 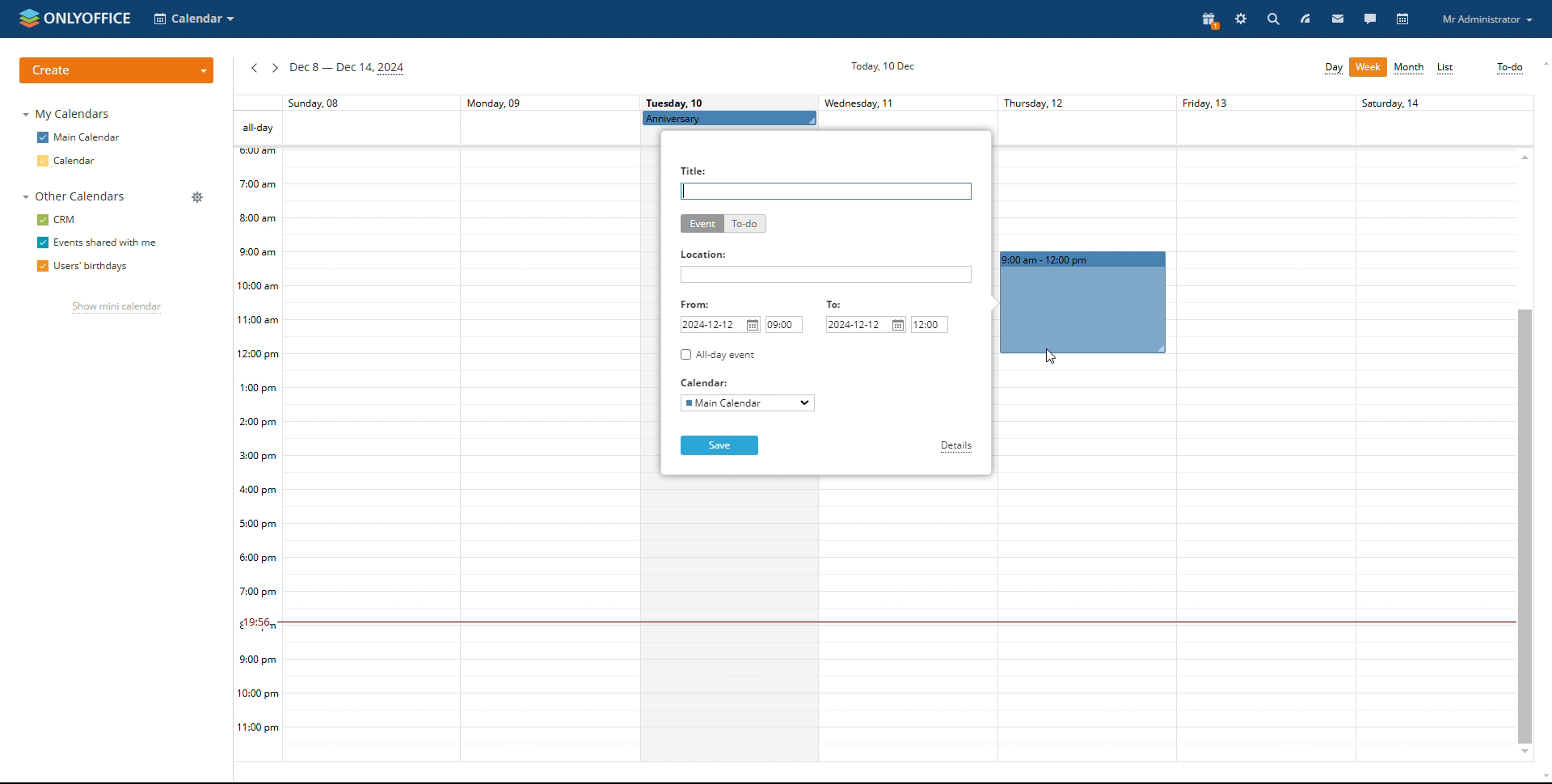 I want to click on settings, so click(x=1240, y=19).